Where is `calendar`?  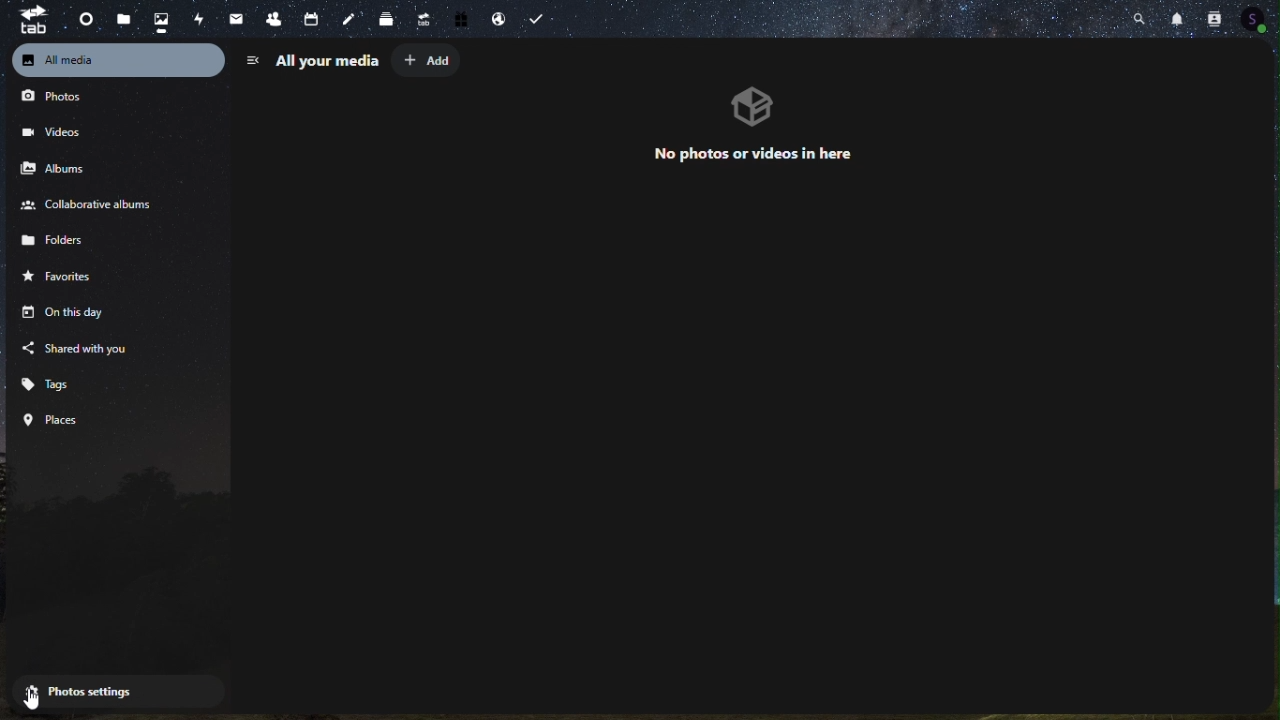 calendar is located at coordinates (313, 20).